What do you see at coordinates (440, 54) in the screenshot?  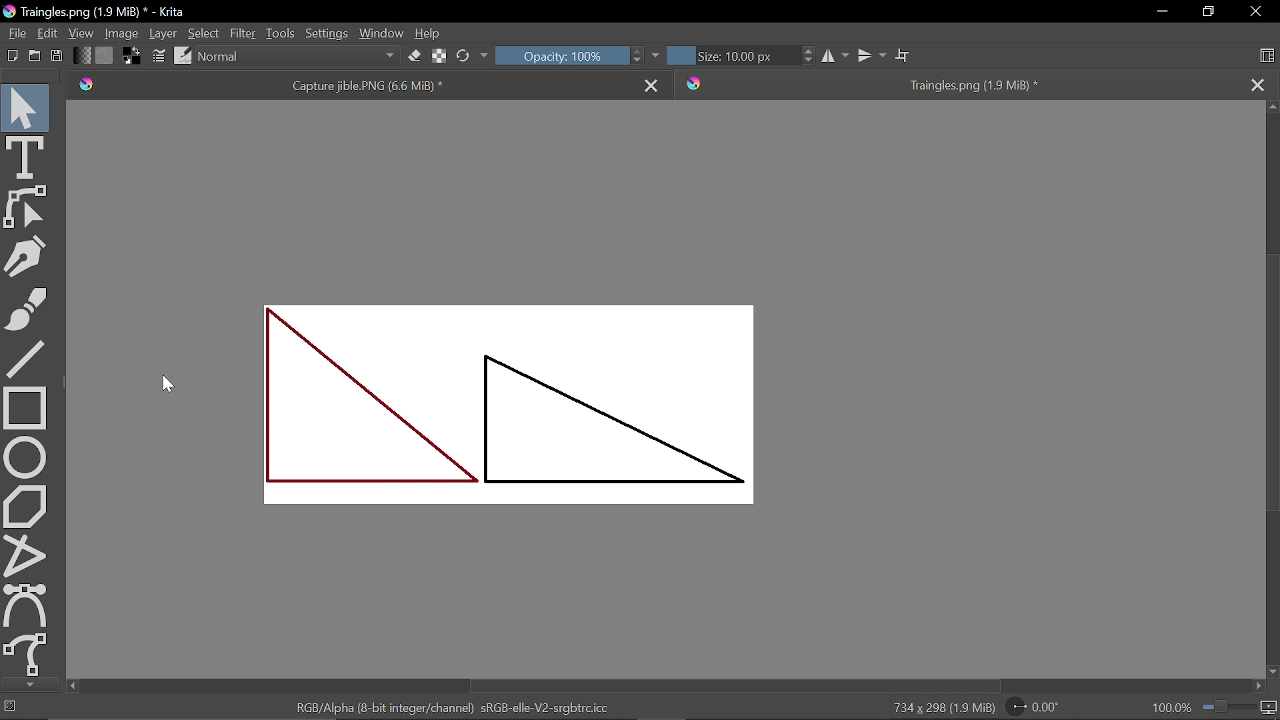 I see `Preserve Alpha` at bounding box center [440, 54].